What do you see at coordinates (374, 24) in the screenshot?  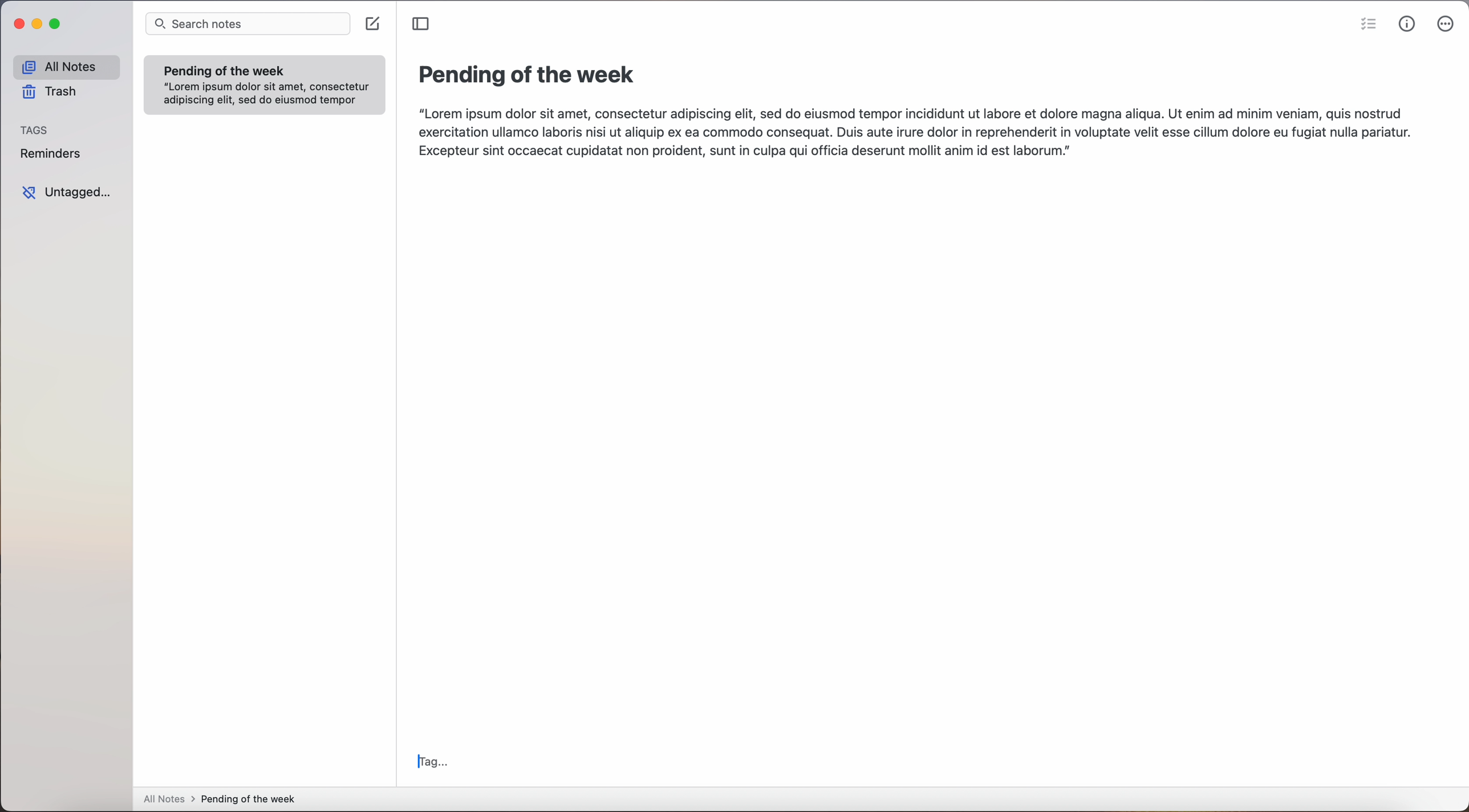 I see `create note` at bounding box center [374, 24].